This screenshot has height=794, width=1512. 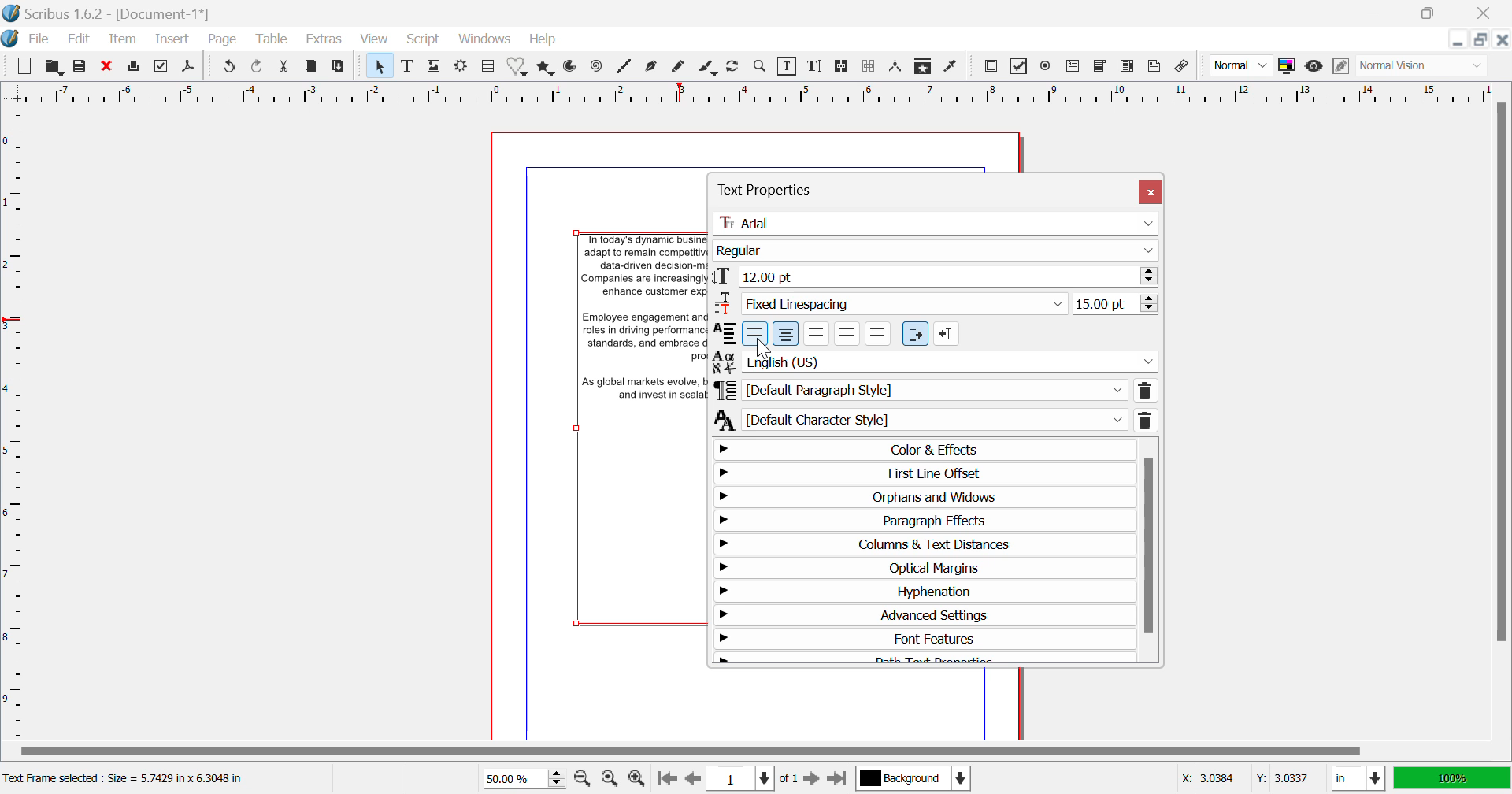 What do you see at coordinates (1129, 67) in the screenshot?
I see `Pdf list box` at bounding box center [1129, 67].